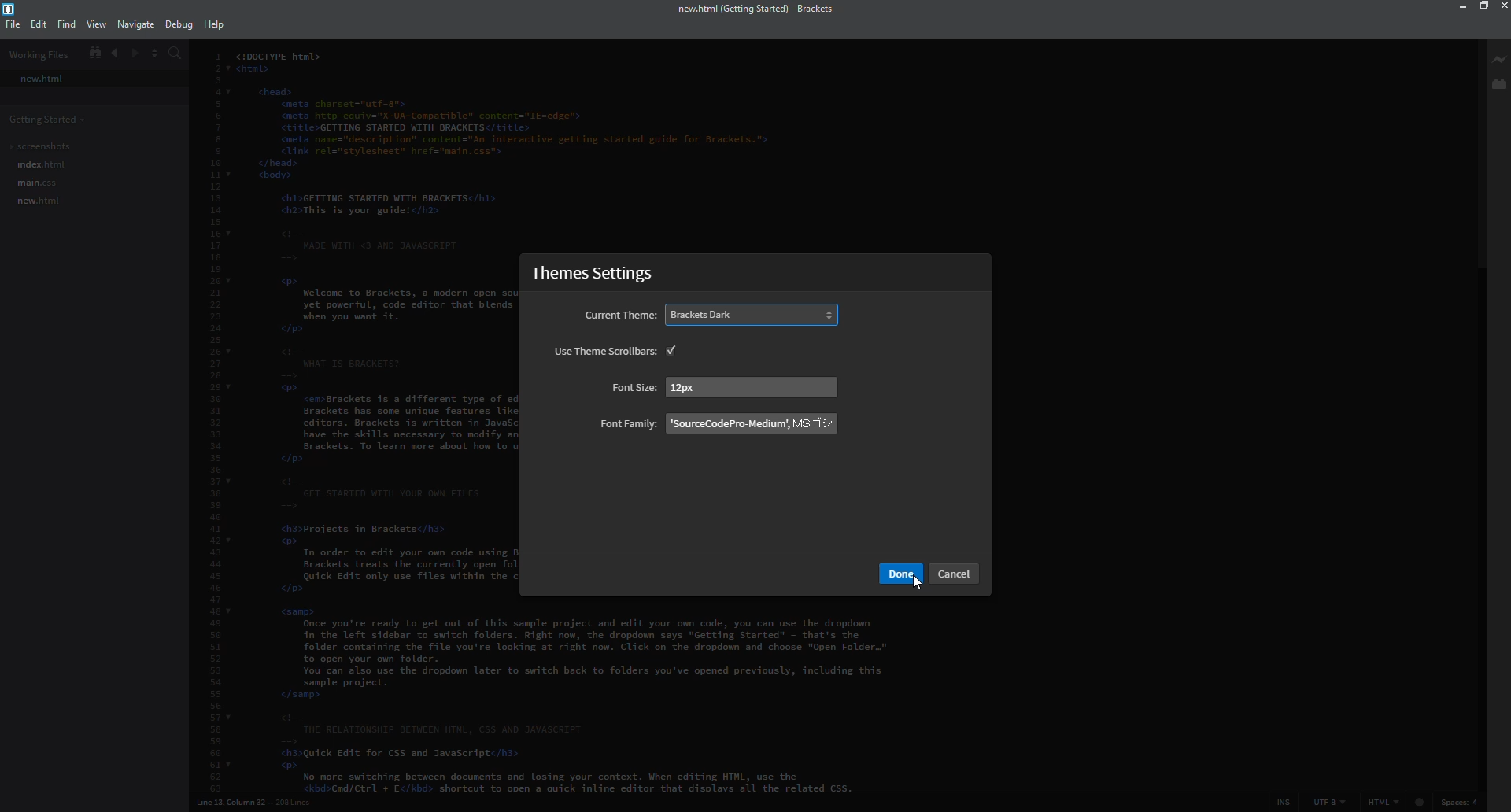  I want to click on scroll bar, so click(1483, 146).